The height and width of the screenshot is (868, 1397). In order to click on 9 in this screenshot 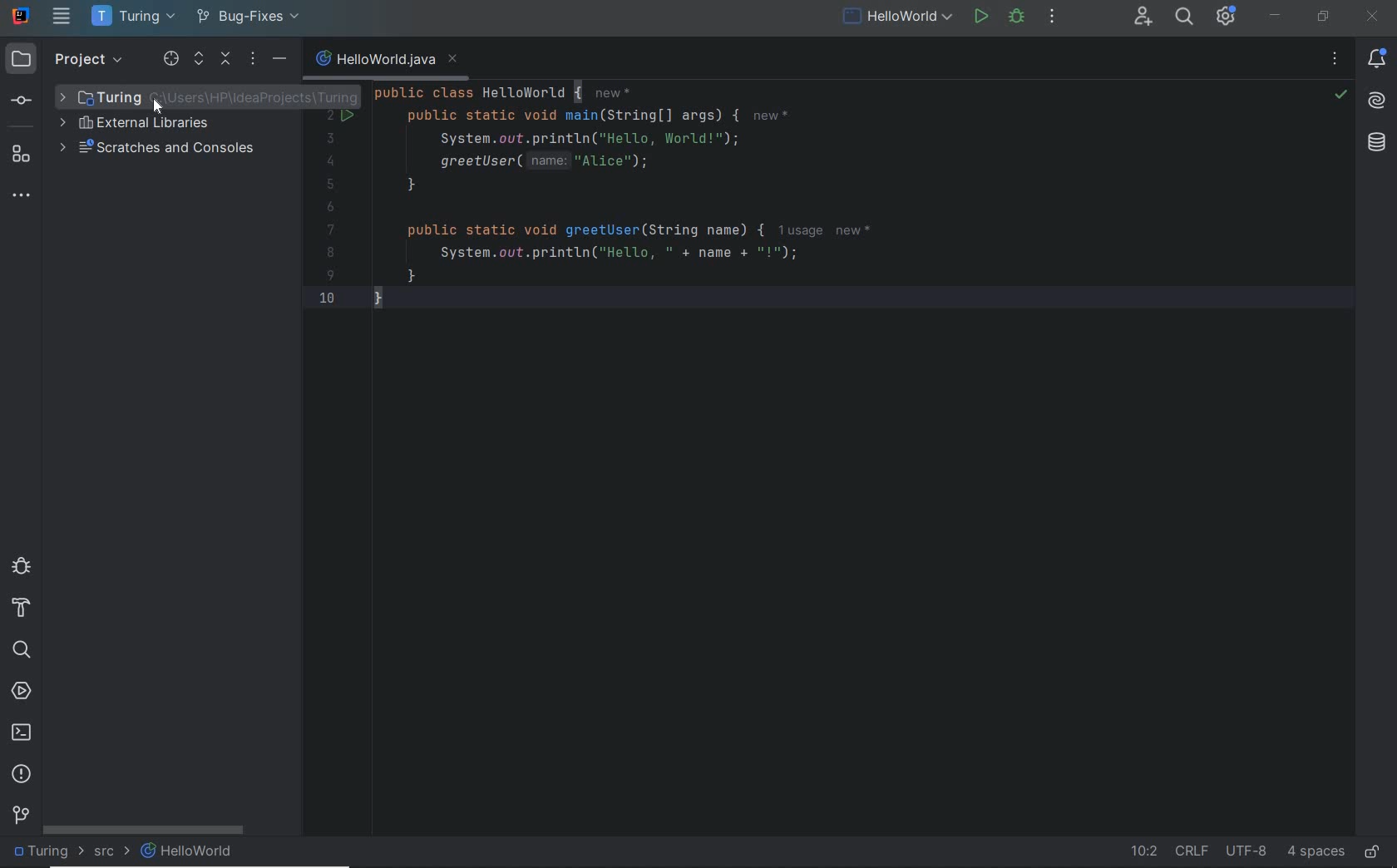, I will do `click(330, 275)`.